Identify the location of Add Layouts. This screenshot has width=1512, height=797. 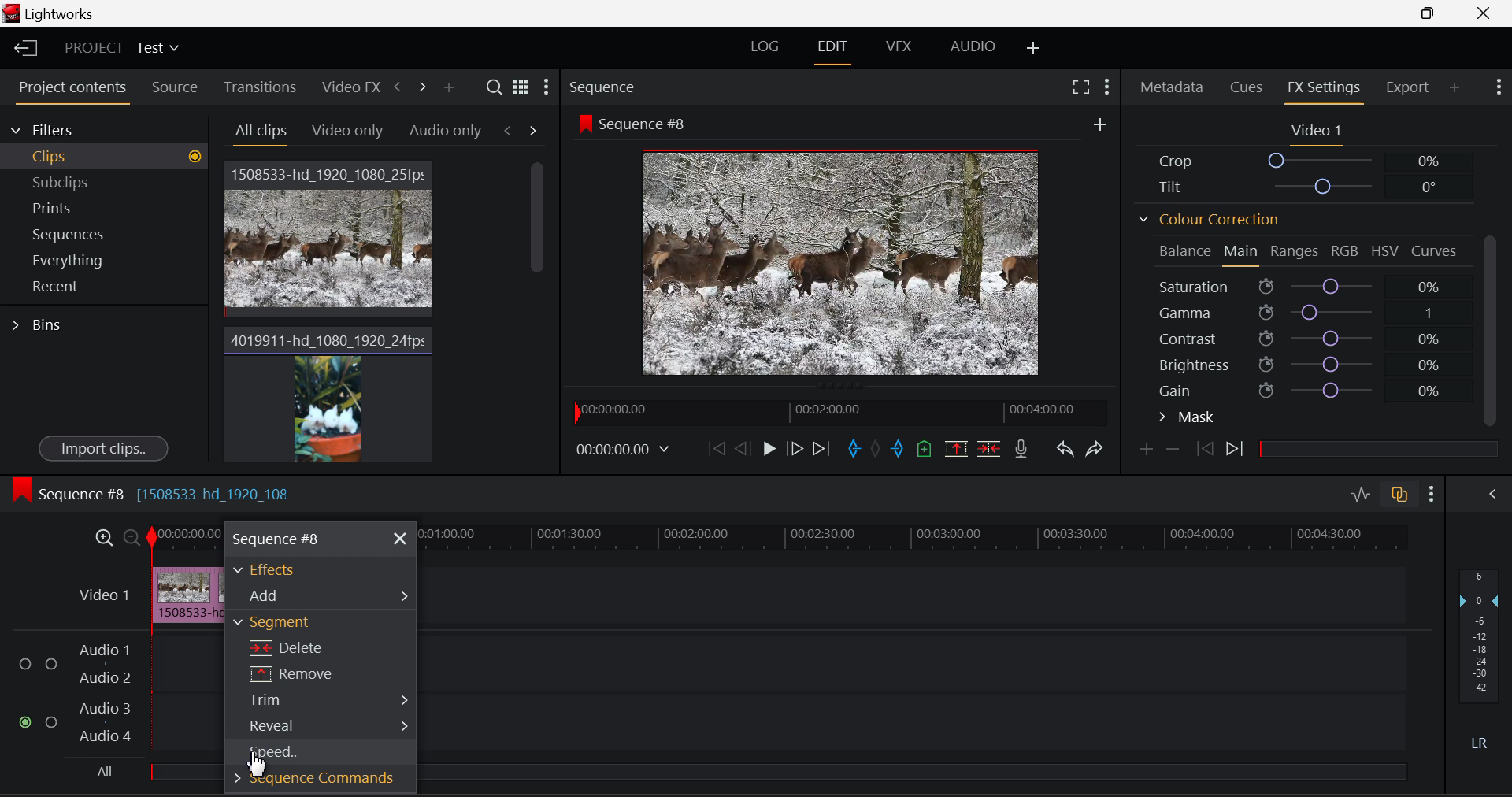
(1033, 46).